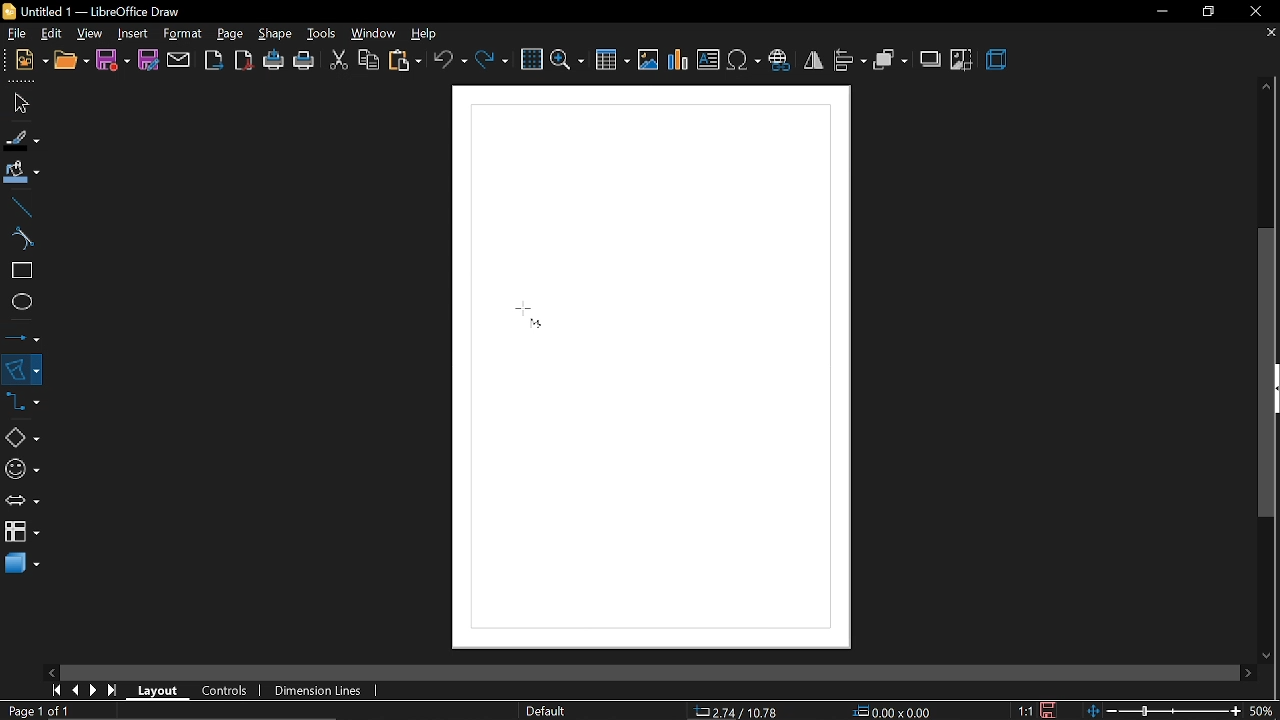 This screenshot has height=720, width=1280. What do you see at coordinates (54, 33) in the screenshot?
I see `edit` at bounding box center [54, 33].